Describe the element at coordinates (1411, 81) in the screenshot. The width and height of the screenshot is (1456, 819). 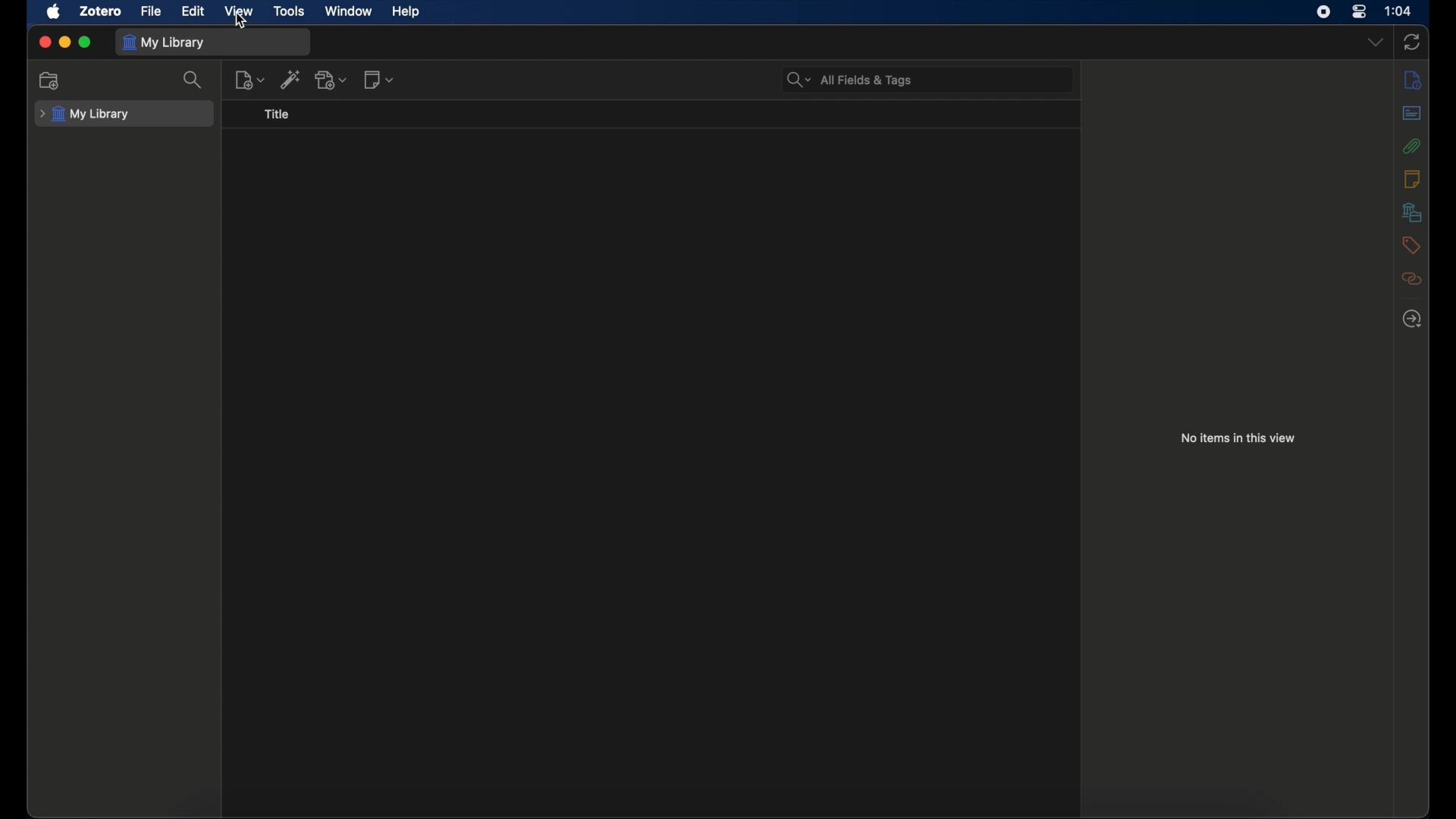
I see `info` at that location.